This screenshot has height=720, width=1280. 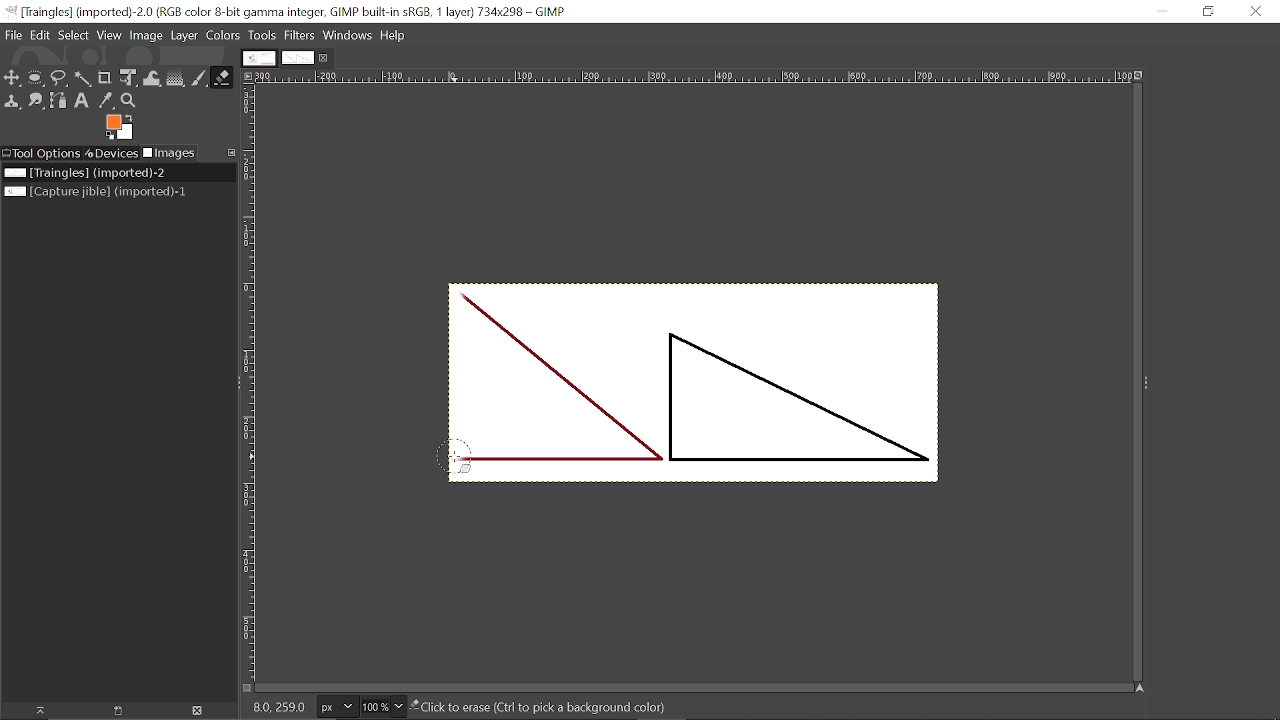 I want to click on View, so click(x=108, y=35).